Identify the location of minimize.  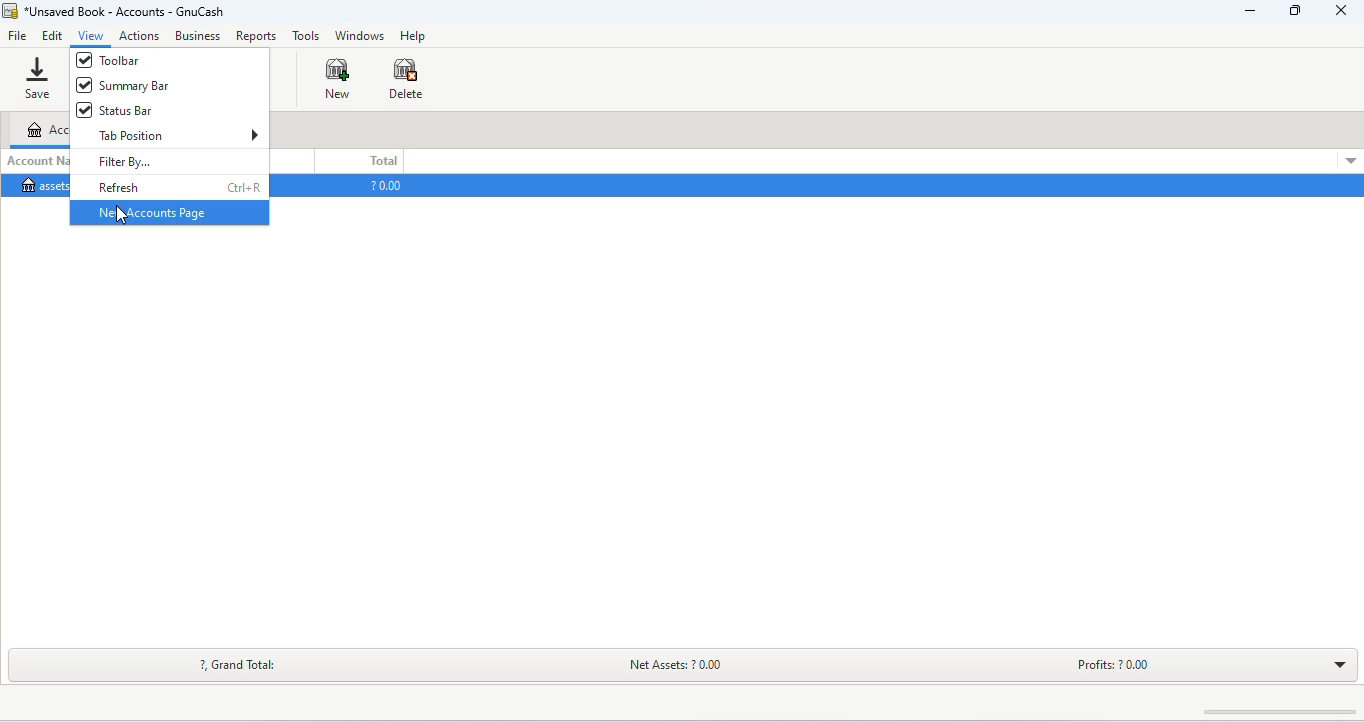
(1251, 13).